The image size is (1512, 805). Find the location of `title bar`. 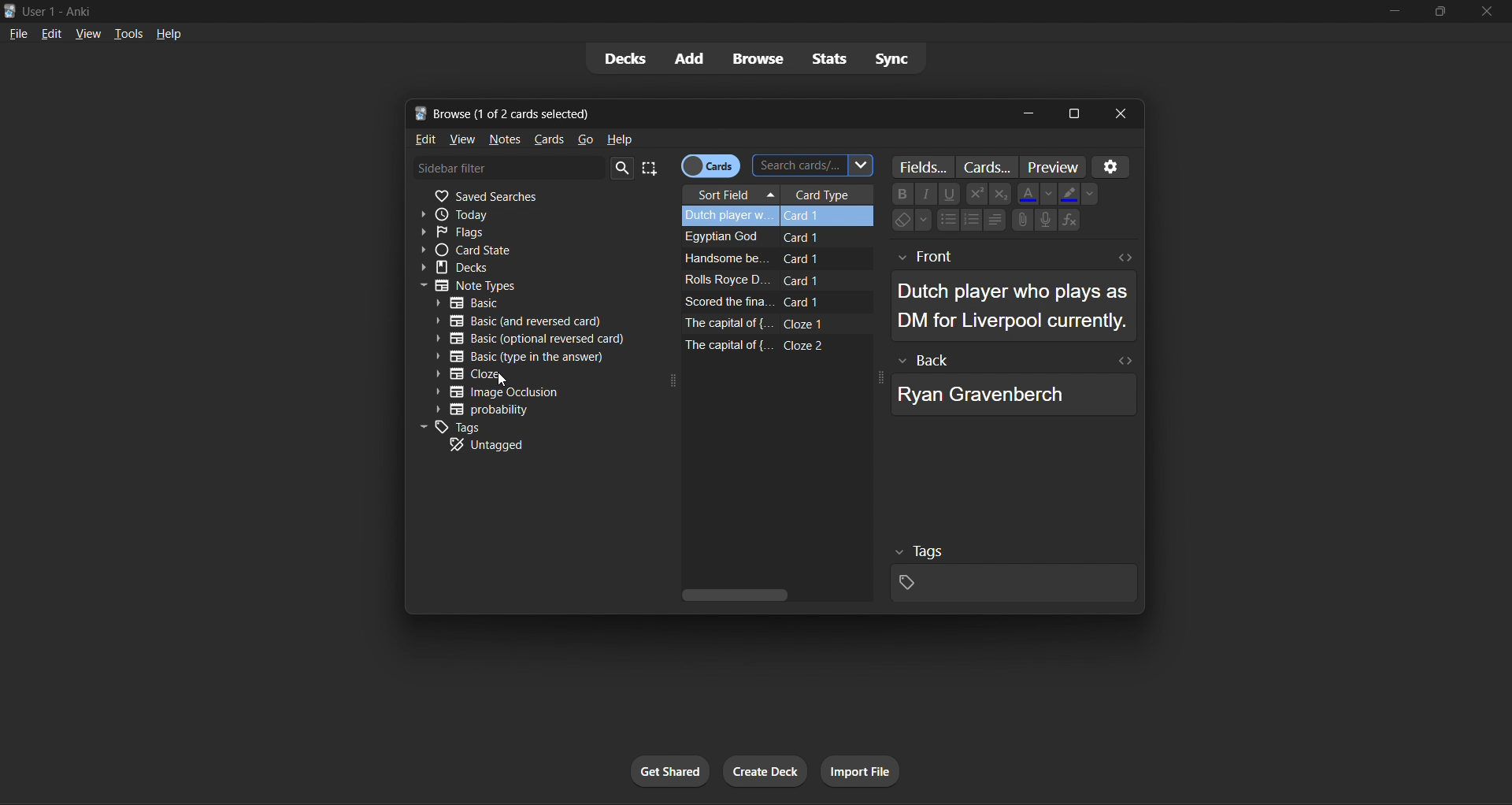

title bar is located at coordinates (689, 10).